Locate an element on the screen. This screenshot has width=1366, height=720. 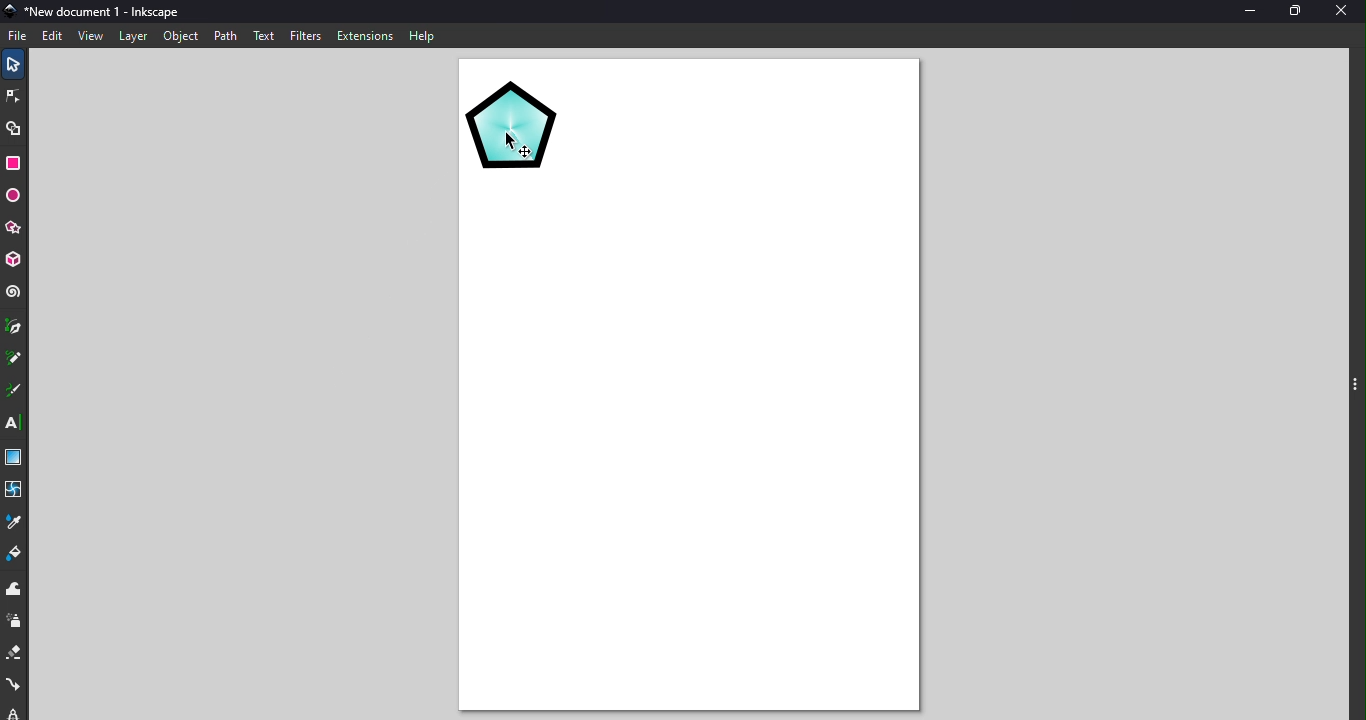
App logo is located at coordinates (9, 9).